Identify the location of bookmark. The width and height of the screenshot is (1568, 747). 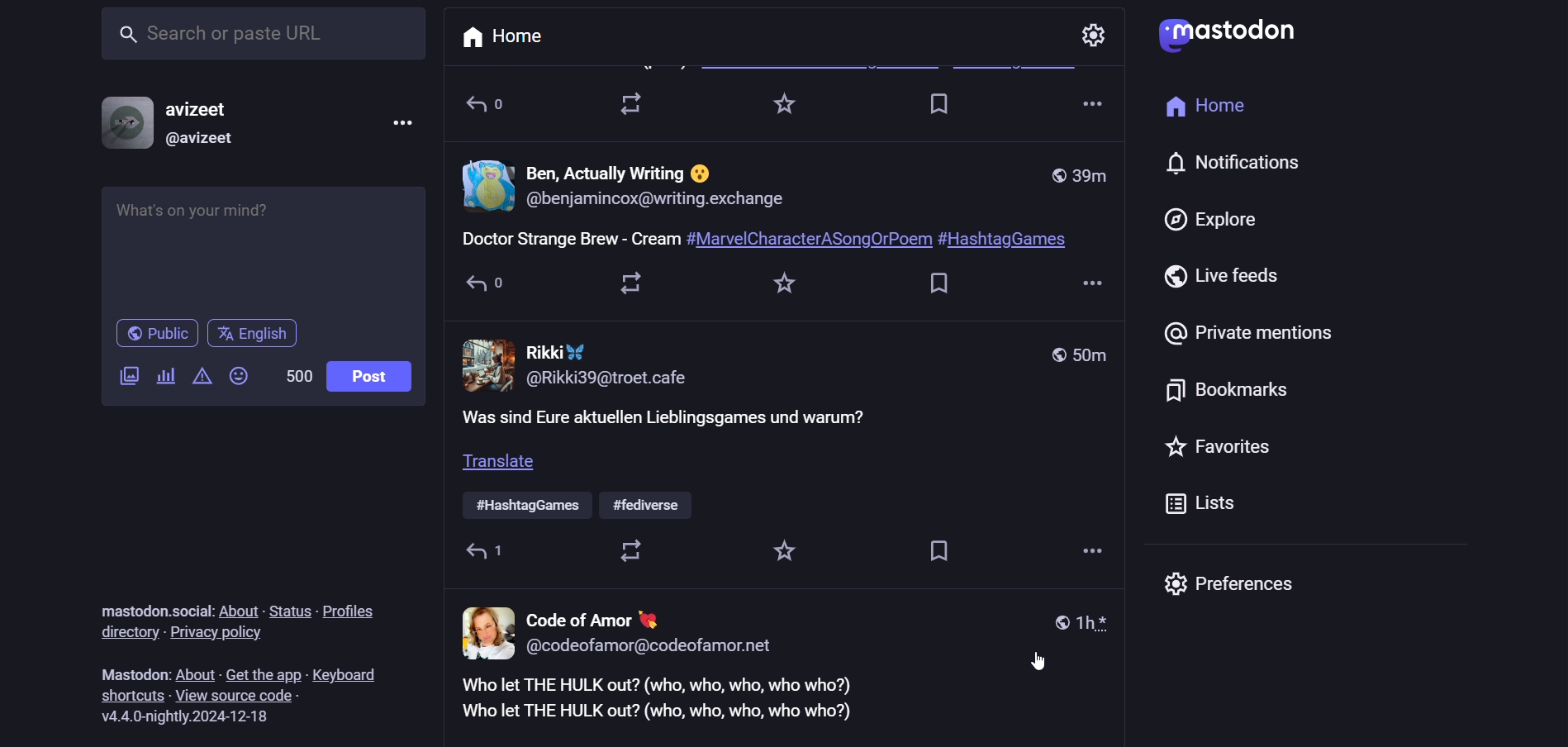
(941, 109).